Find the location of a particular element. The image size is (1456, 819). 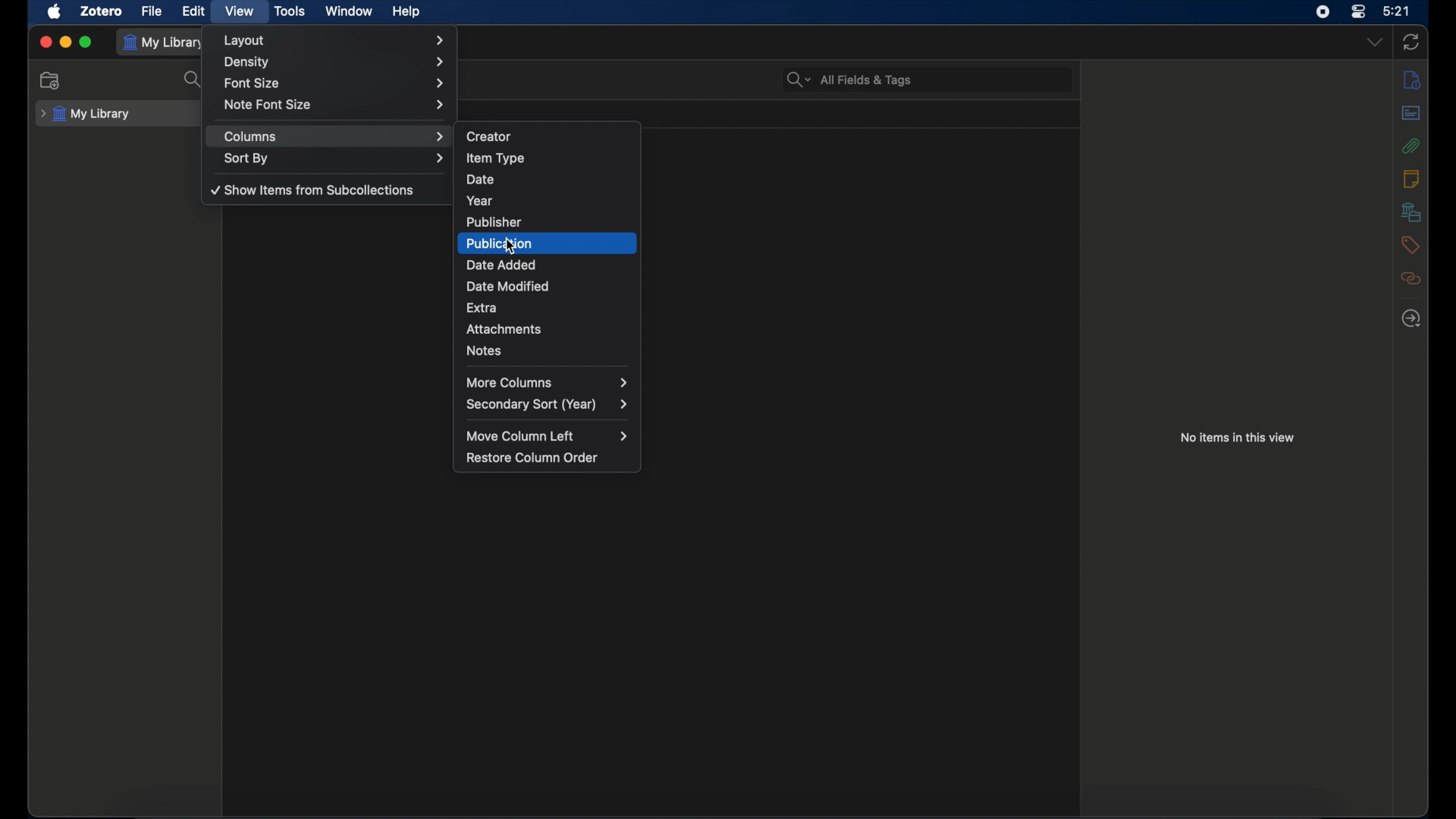

date modified is located at coordinates (548, 285).